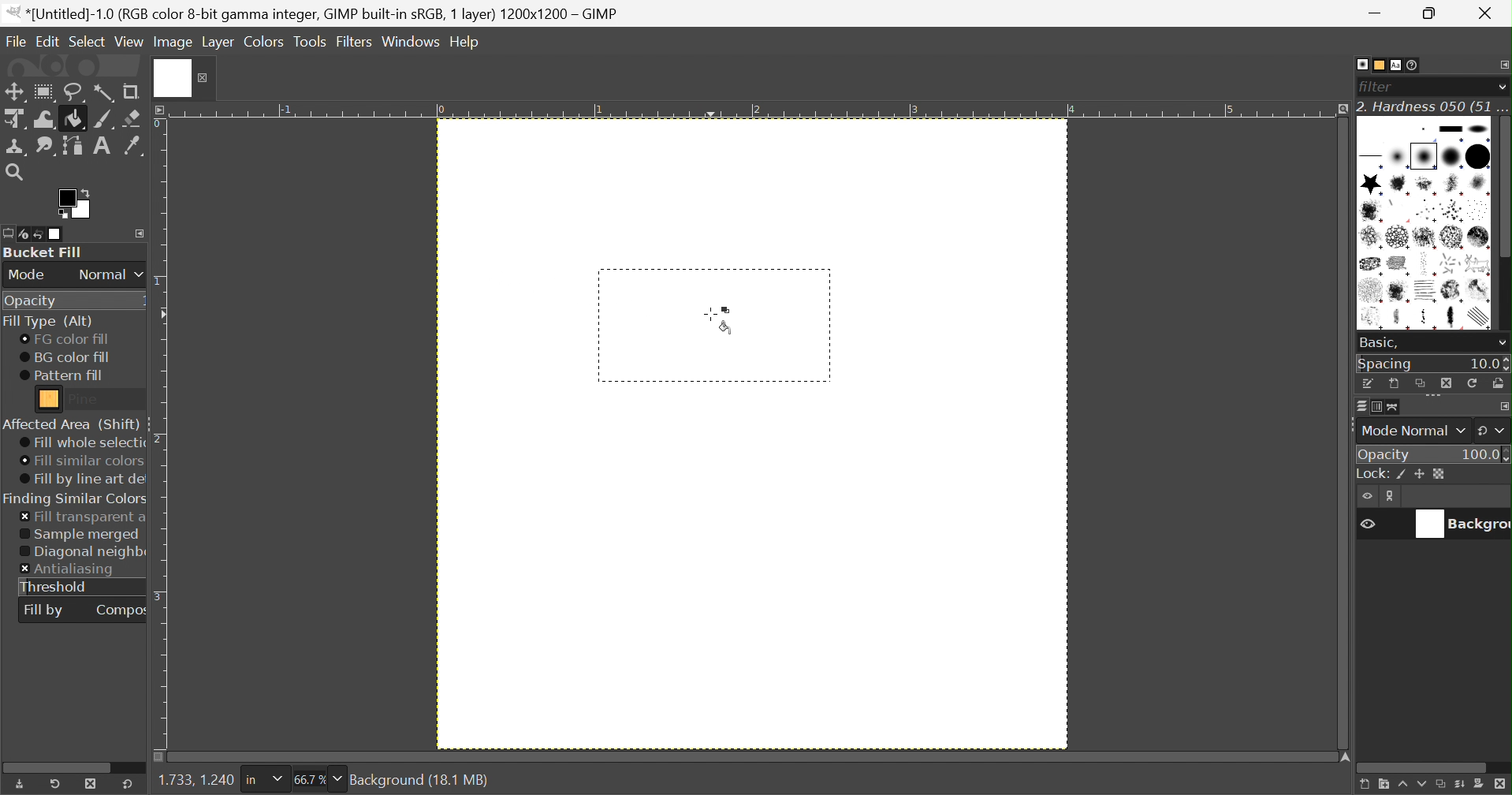  Describe the element at coordinates (1397, 66) in the screenshot. I see `Font` at that location.